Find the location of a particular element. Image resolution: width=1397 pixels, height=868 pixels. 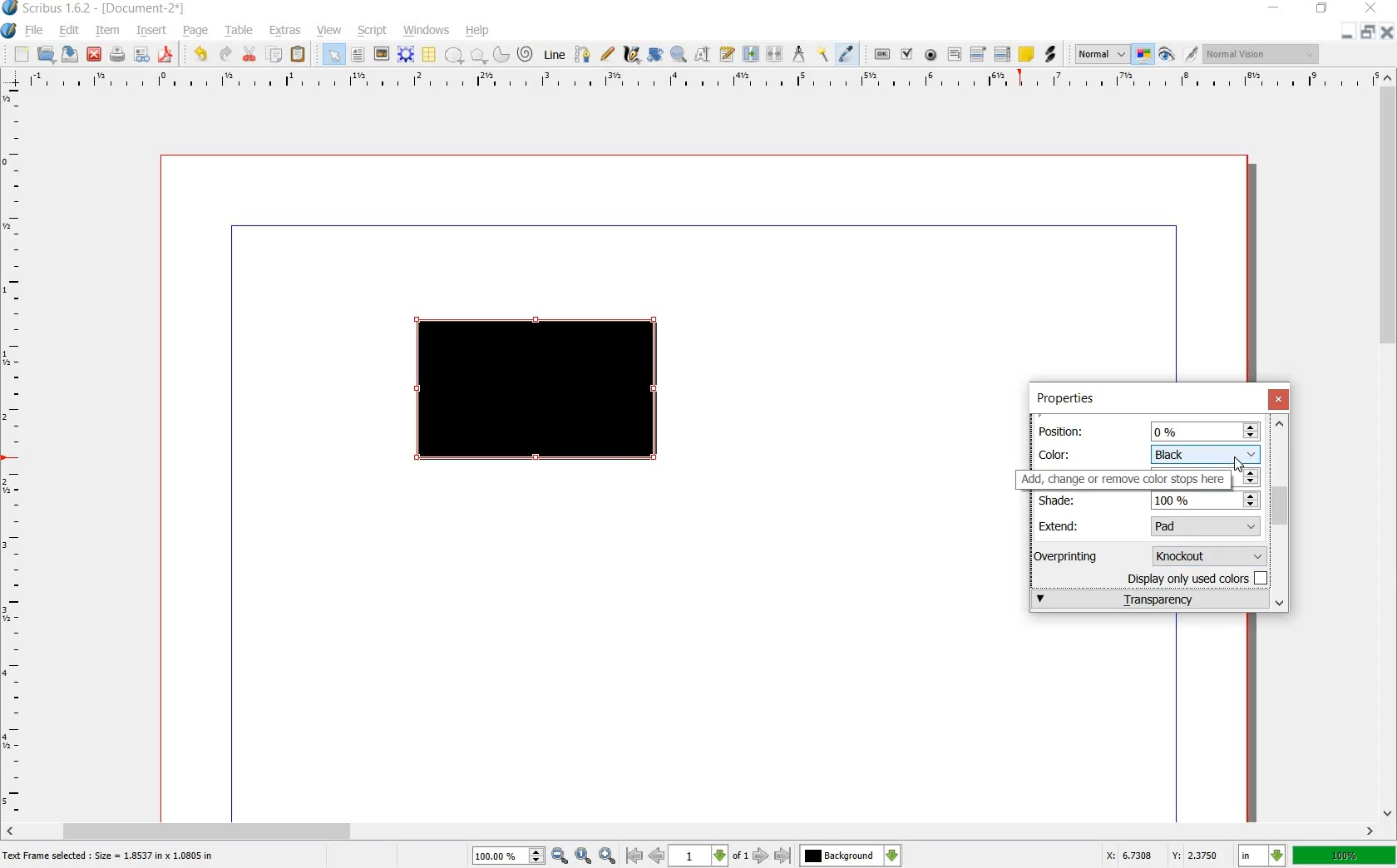

insert is located at coordinates (152, 32).